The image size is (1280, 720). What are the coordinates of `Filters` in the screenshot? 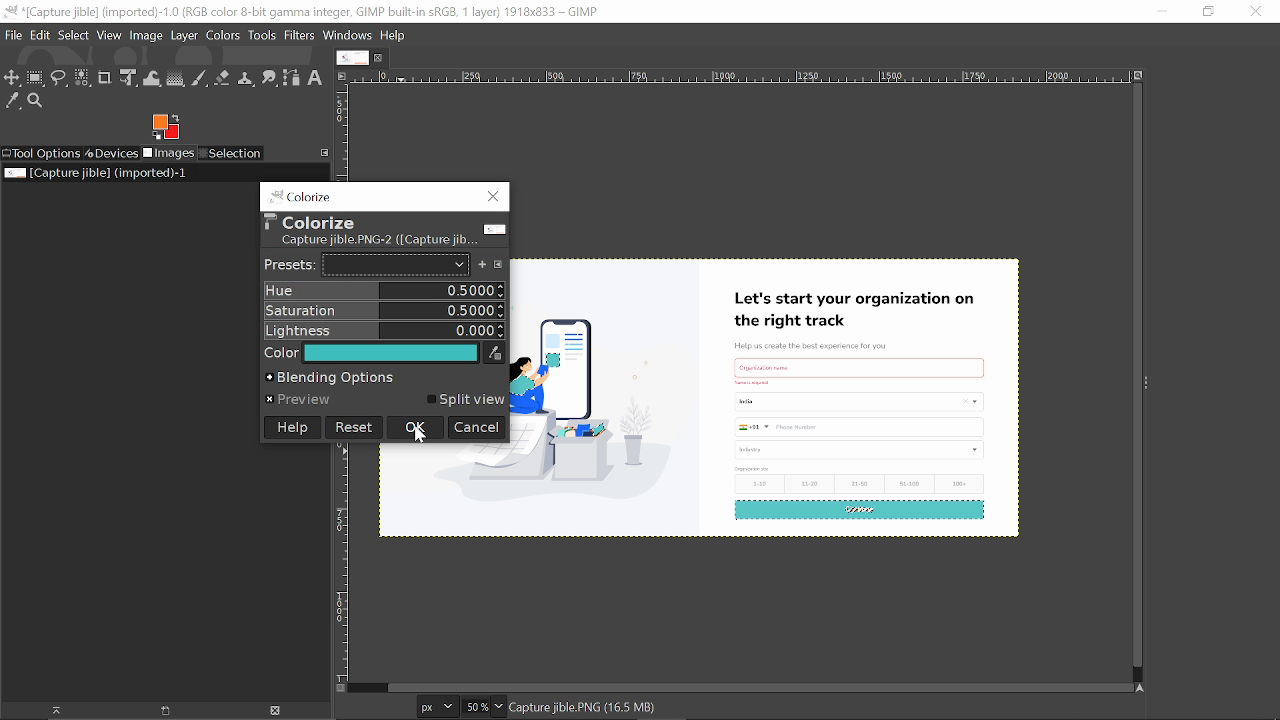 It's located at (300, 36).